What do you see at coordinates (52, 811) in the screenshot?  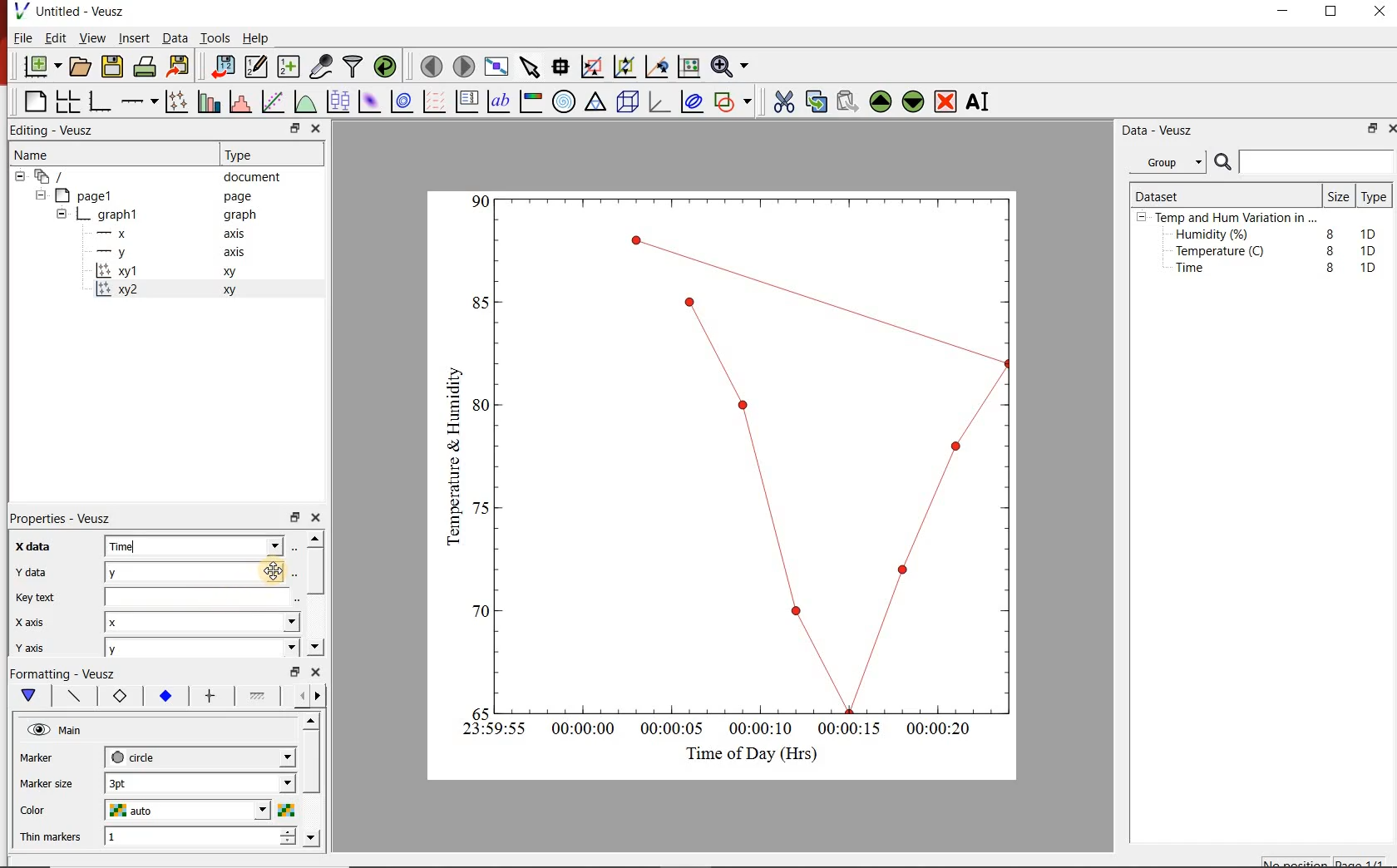 I see `Color` at bounding box center [52, 811].